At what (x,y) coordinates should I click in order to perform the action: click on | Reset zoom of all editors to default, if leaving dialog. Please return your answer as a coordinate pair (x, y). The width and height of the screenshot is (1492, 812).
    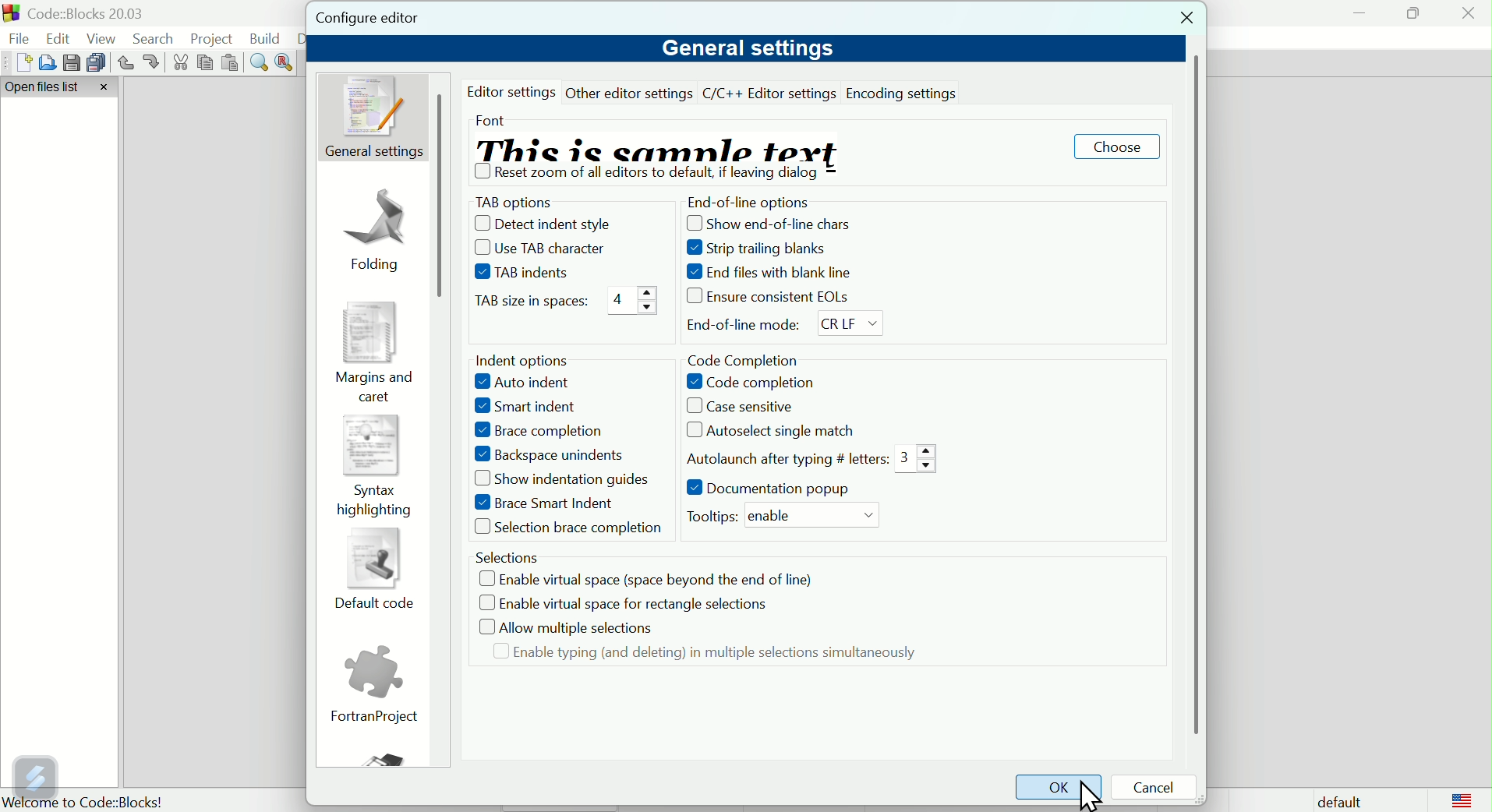
    Looking at the image, I should click on (646, 175).